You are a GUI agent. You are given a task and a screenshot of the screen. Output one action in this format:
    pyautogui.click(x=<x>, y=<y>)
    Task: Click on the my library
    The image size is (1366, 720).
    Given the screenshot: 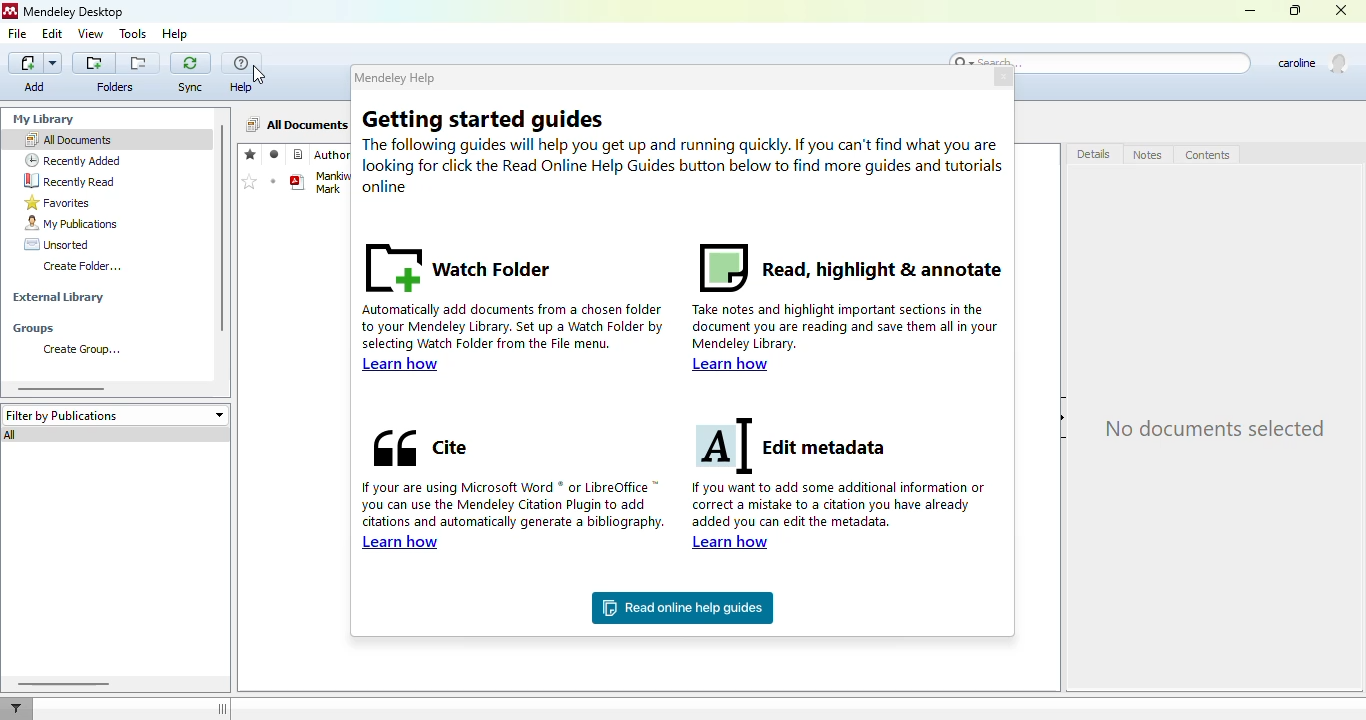 What is the action you would take?
    pyautogui.click(x=44, y=119)
    